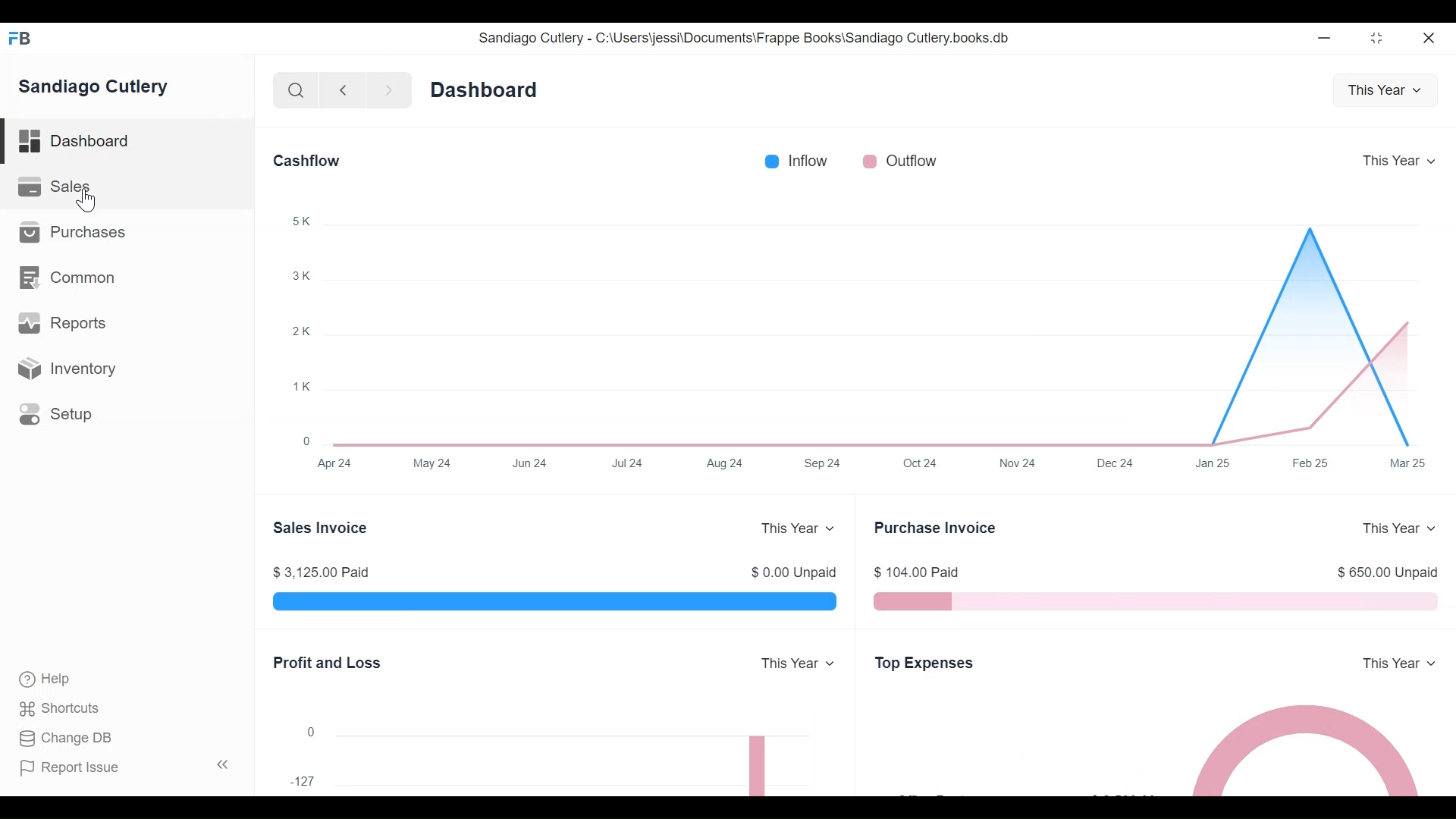 This screenshot has height=819, width=1456. What do you see at coordinates (1432, 39) in the screenshot?
I see `Close` at bounding box center [1432, 39].